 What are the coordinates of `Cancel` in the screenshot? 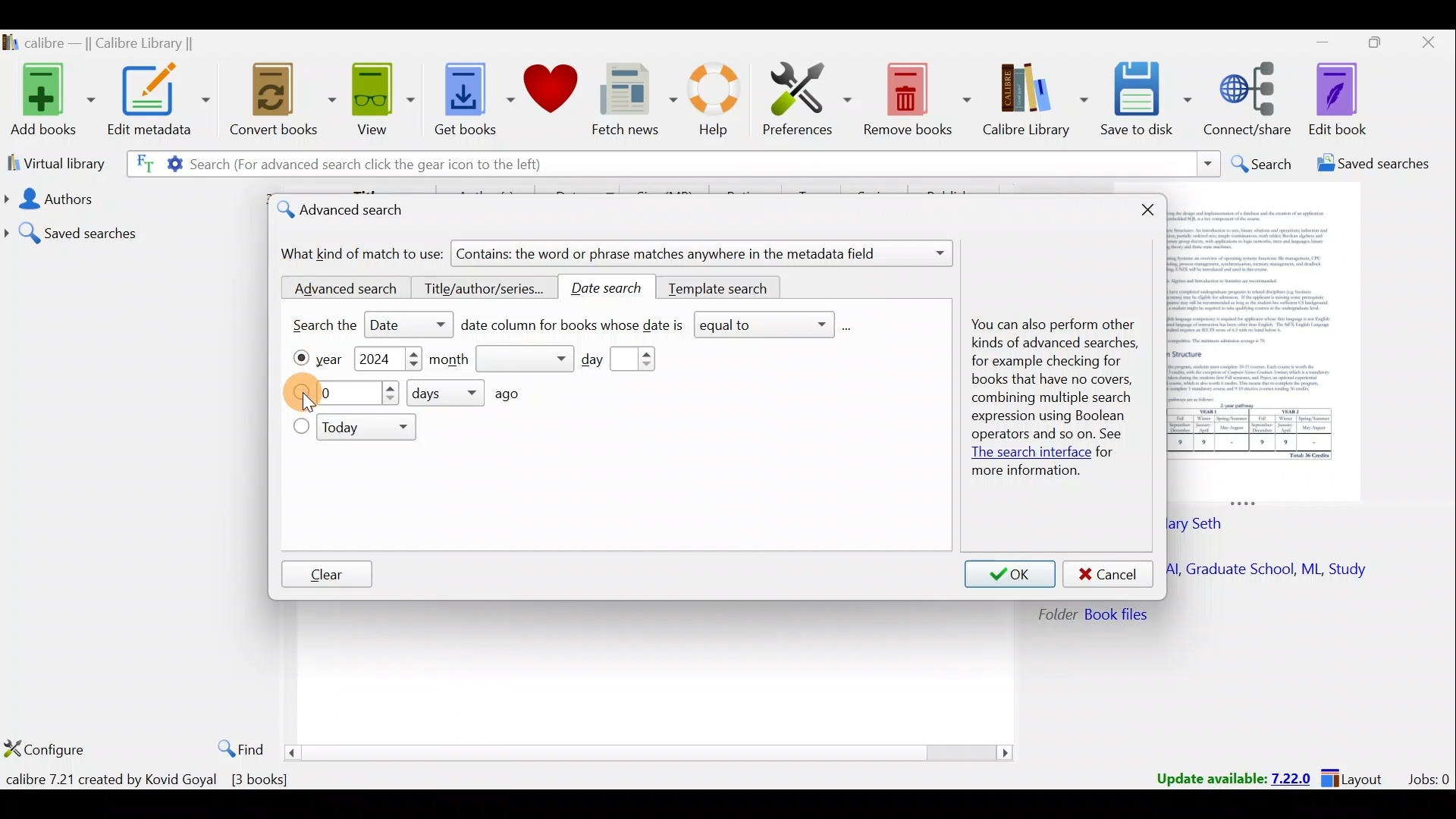 It's located at (1109, 575).